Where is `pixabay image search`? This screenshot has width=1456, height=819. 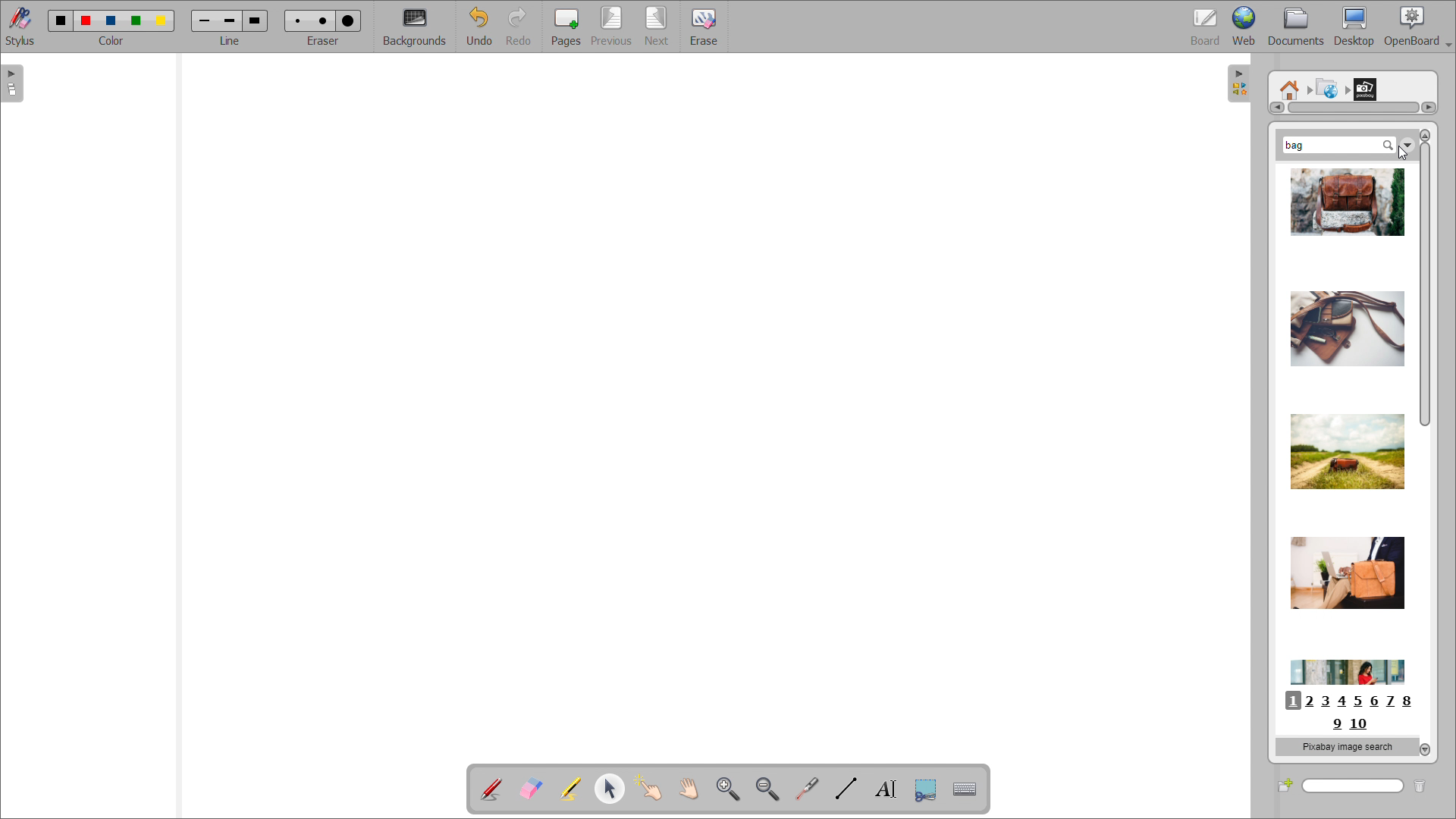 pixabay image search is located at coordinates (1345, 746).